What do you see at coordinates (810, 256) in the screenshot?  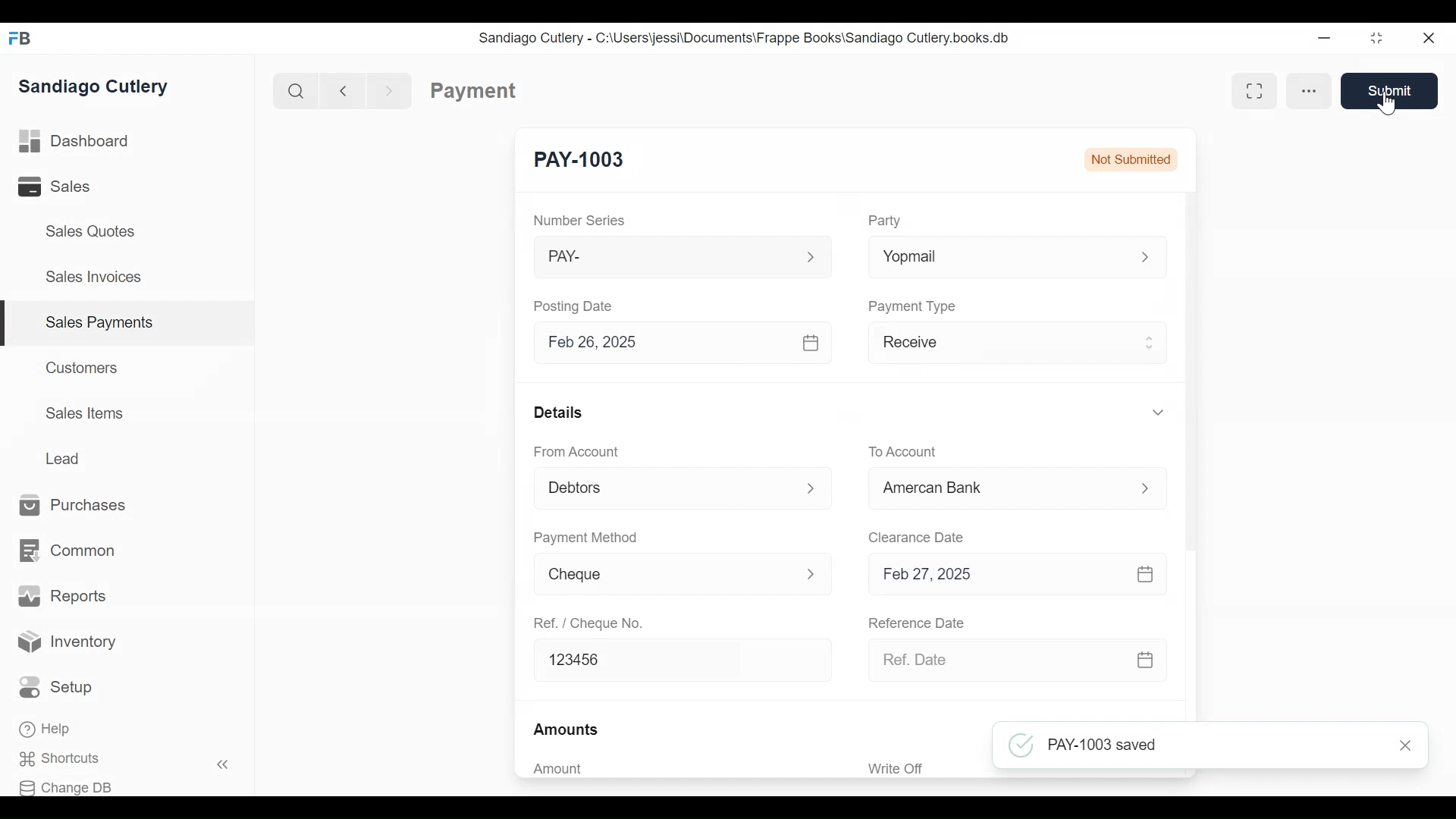 I see `Expand` at bounding box center [810, 256].